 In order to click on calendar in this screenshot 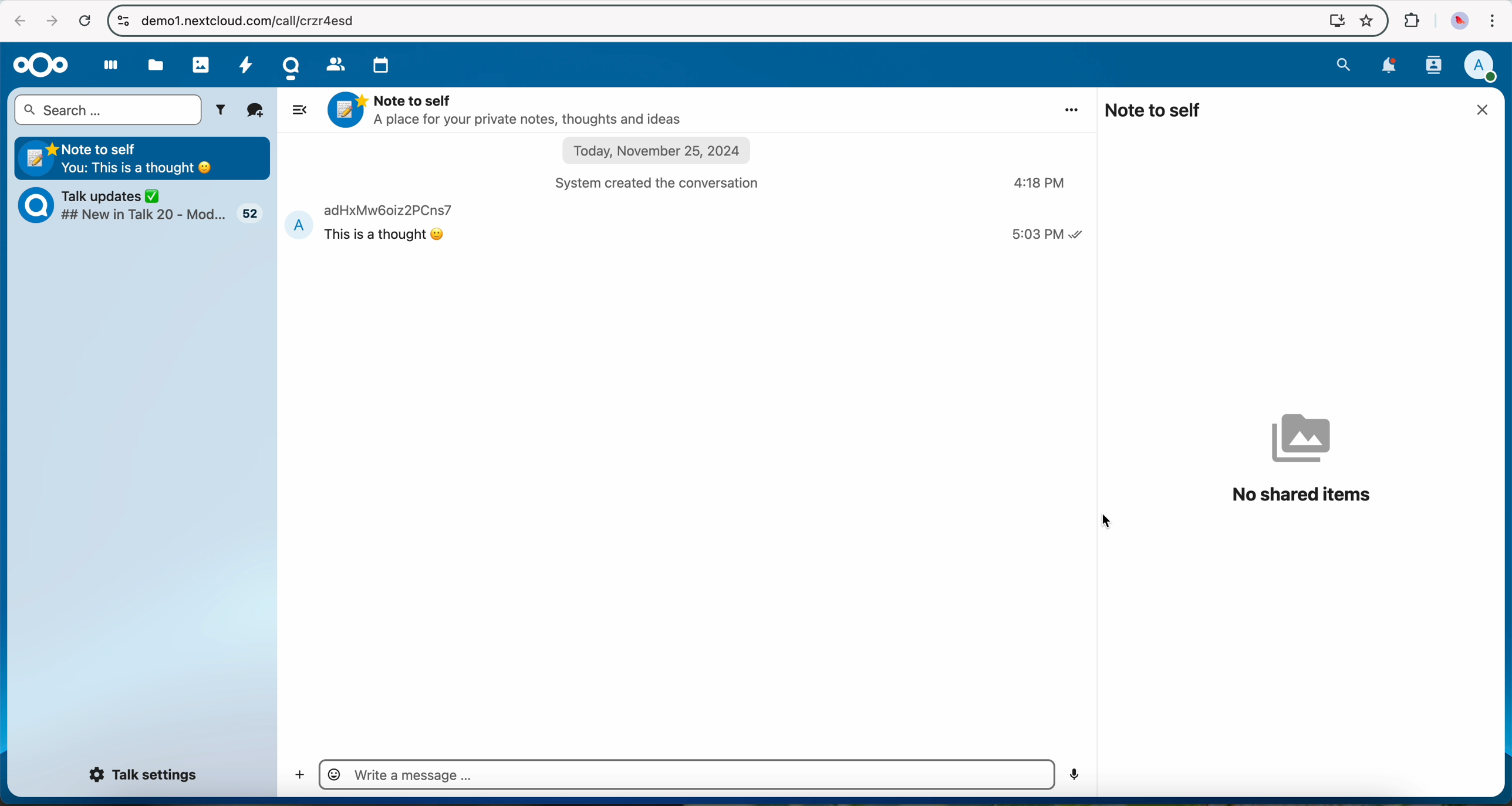, I will do `click(383, 65)`.